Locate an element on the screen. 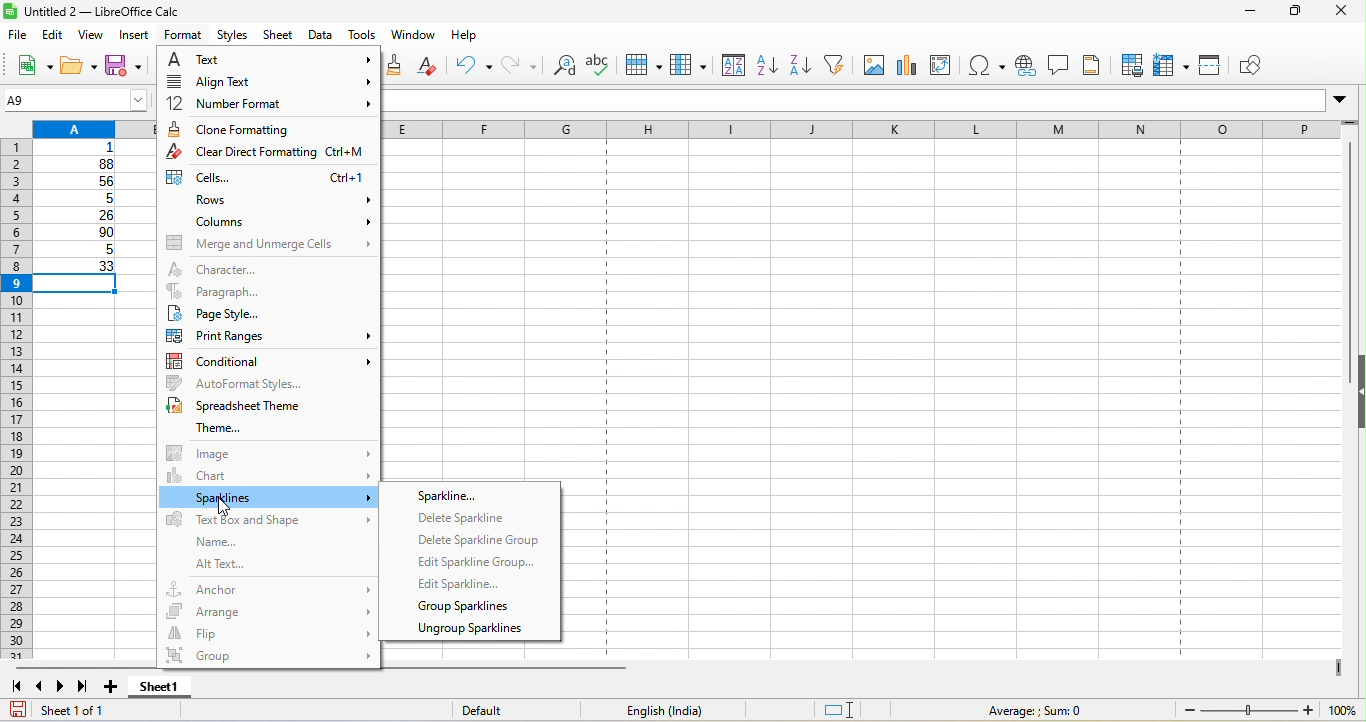  default is located at coordinates (504, 711).